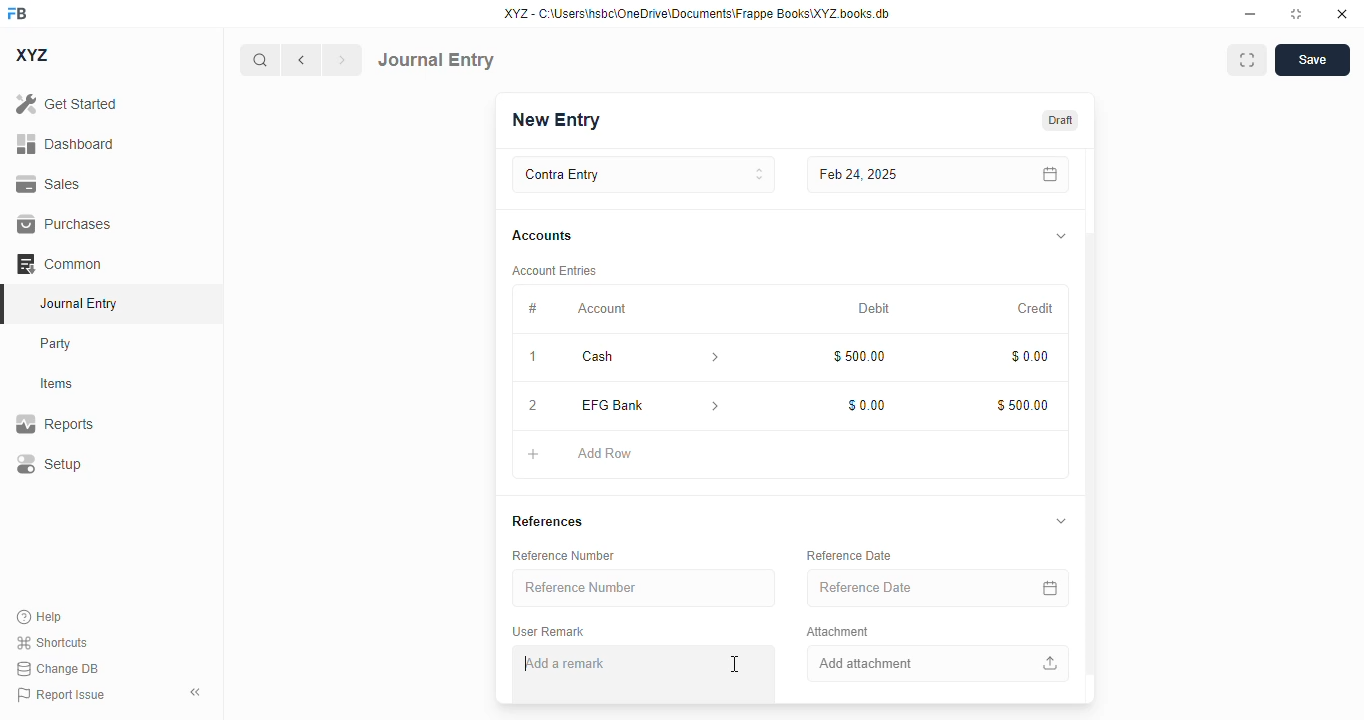 This screenshot has width=1364, height=720. Describe the element at coordinates (549, 523) in the screenshot. I see `references` at that location.